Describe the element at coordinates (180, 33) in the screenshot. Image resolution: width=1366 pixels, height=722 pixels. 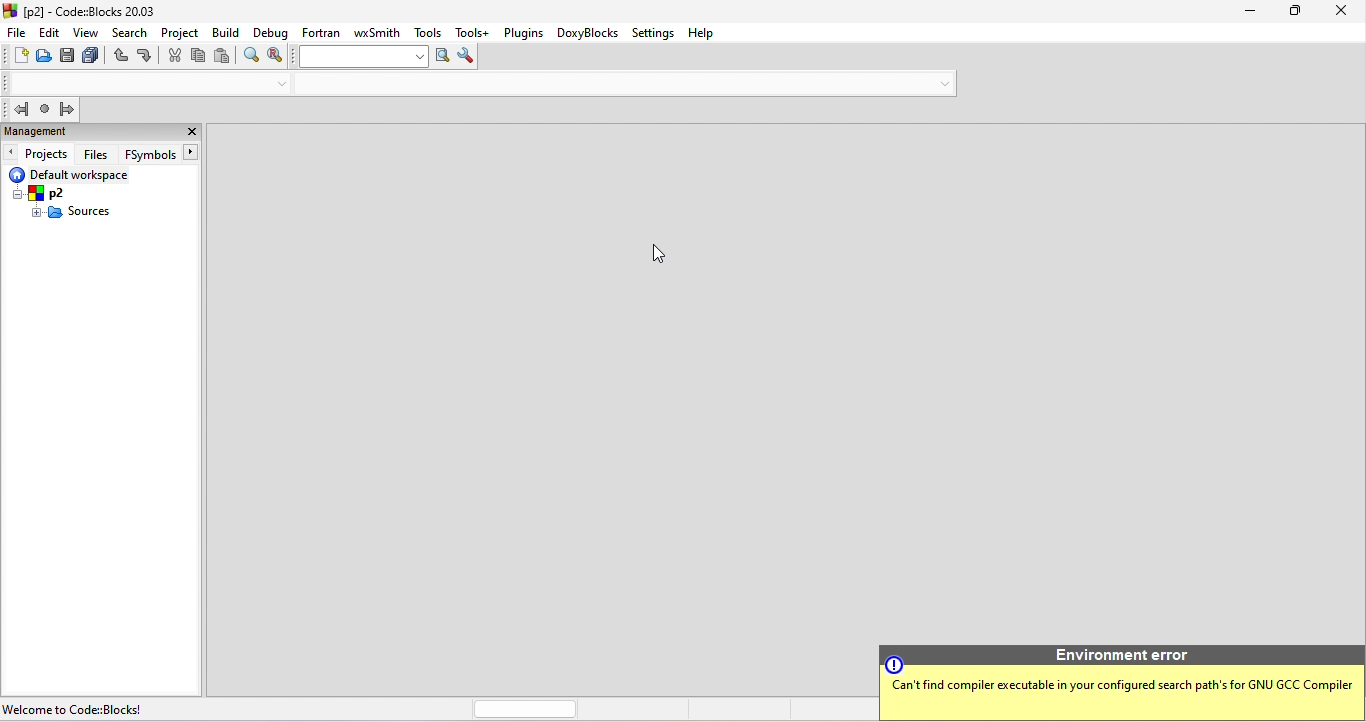
I see `project` at that location.